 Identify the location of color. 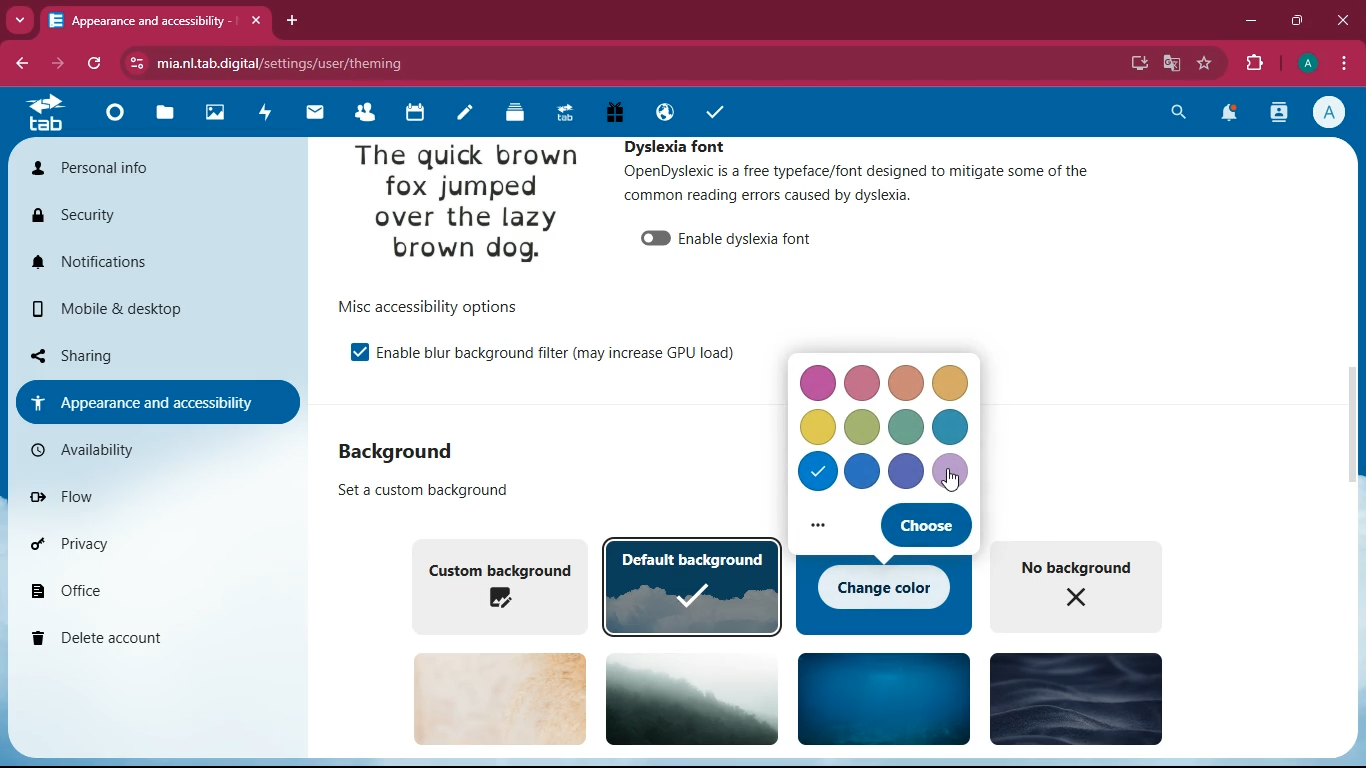
(863, 471).